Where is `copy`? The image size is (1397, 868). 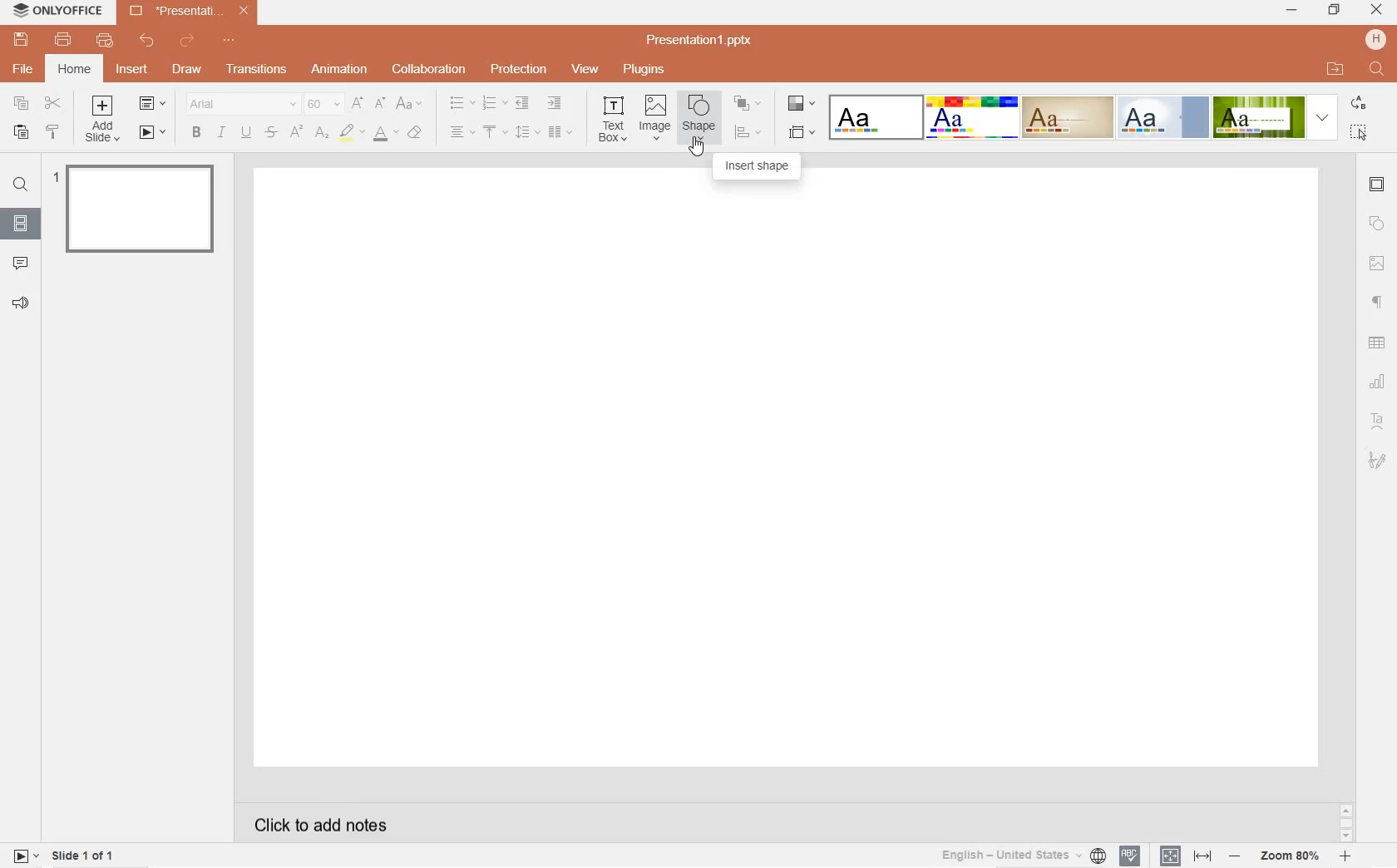
copy is located at coordinates (22, 103).